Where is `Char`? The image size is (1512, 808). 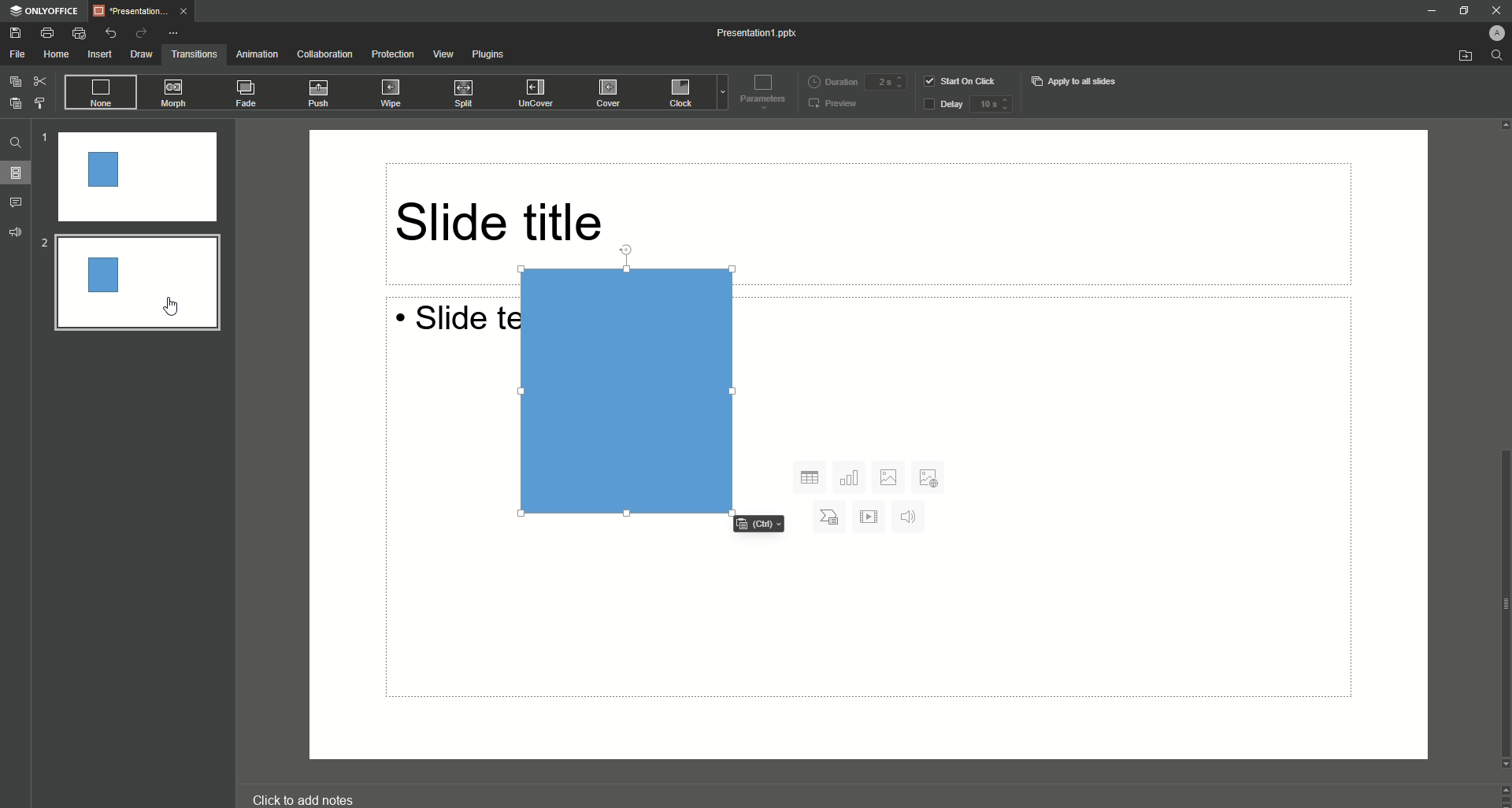 Char is located at coordinates (830, 517).